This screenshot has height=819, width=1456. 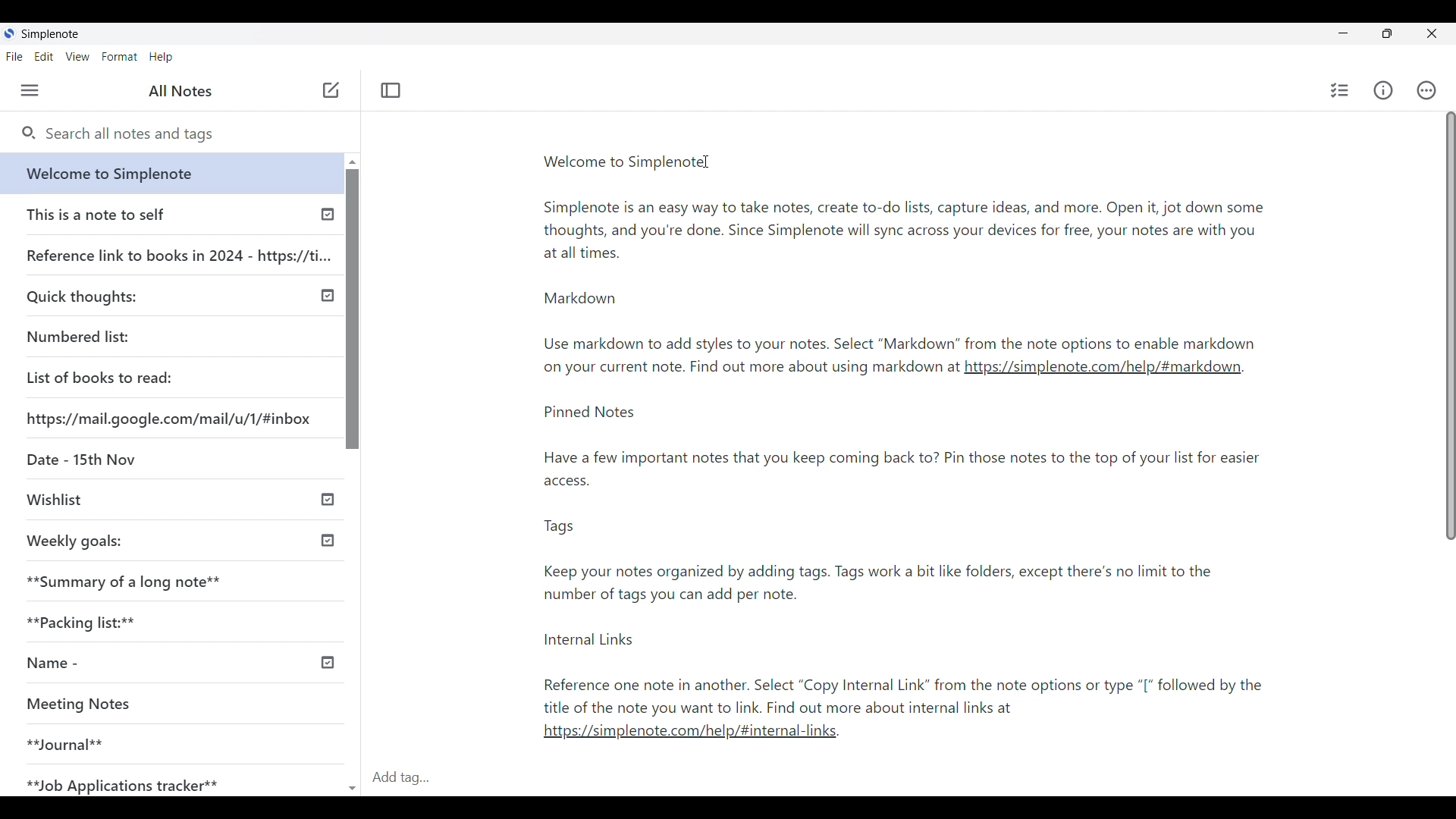 What do you see at coordinates (99, 377) in the screenshot?
I see `Listen of books to read` at bounding box center [99, 377].